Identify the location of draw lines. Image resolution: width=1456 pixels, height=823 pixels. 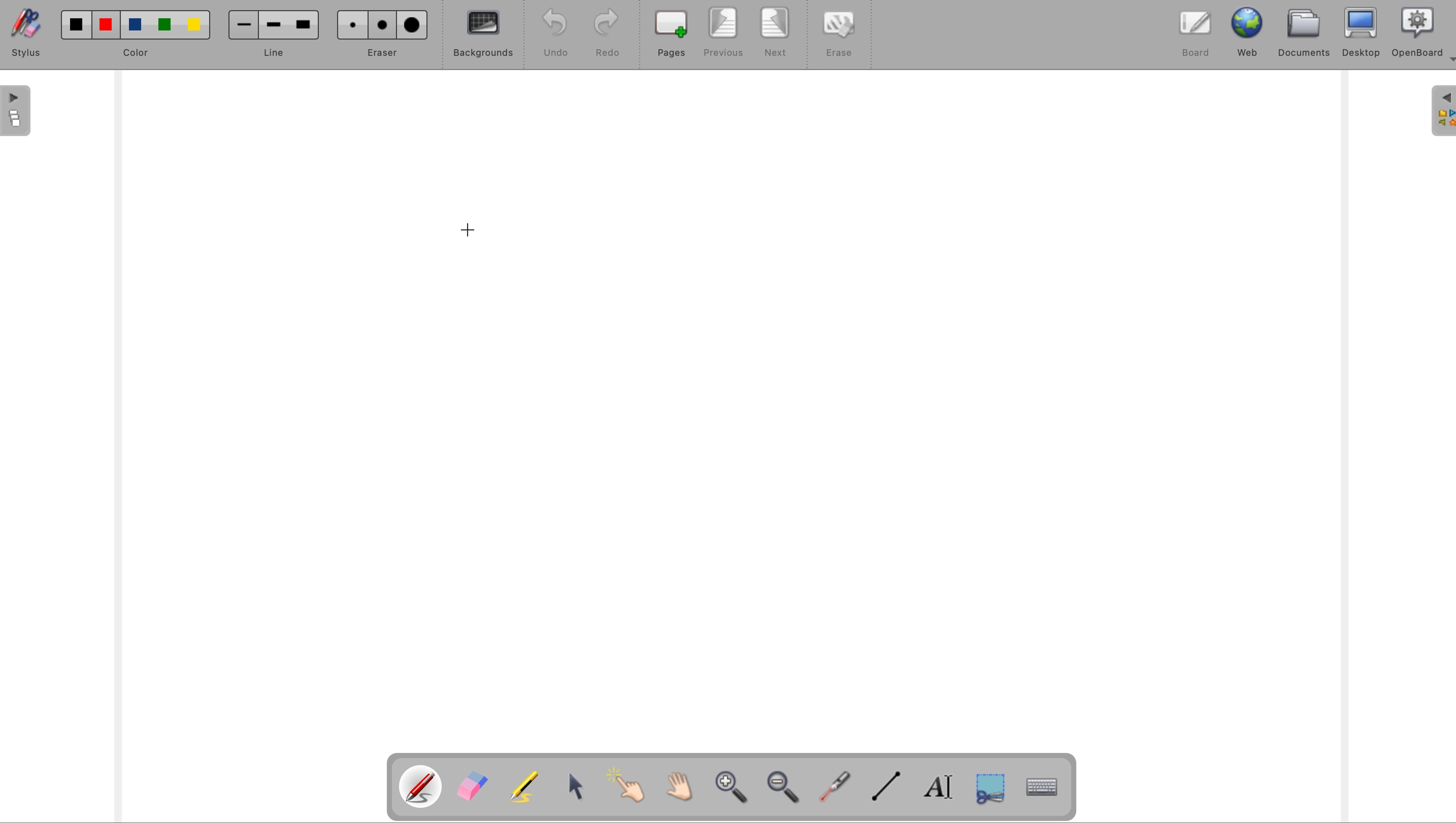
(889, 791).